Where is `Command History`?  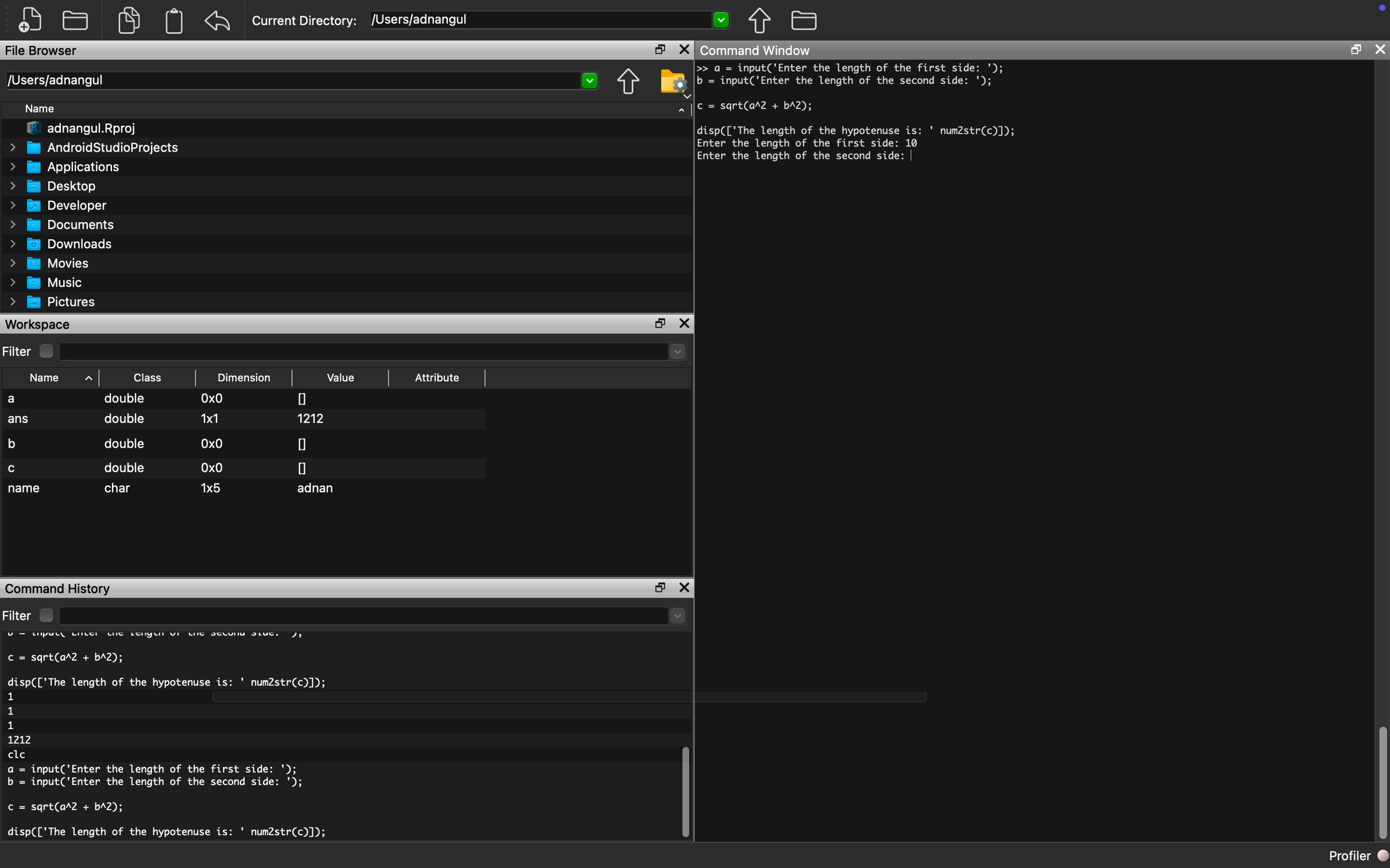
Command History is located at coordinates (60, 587).